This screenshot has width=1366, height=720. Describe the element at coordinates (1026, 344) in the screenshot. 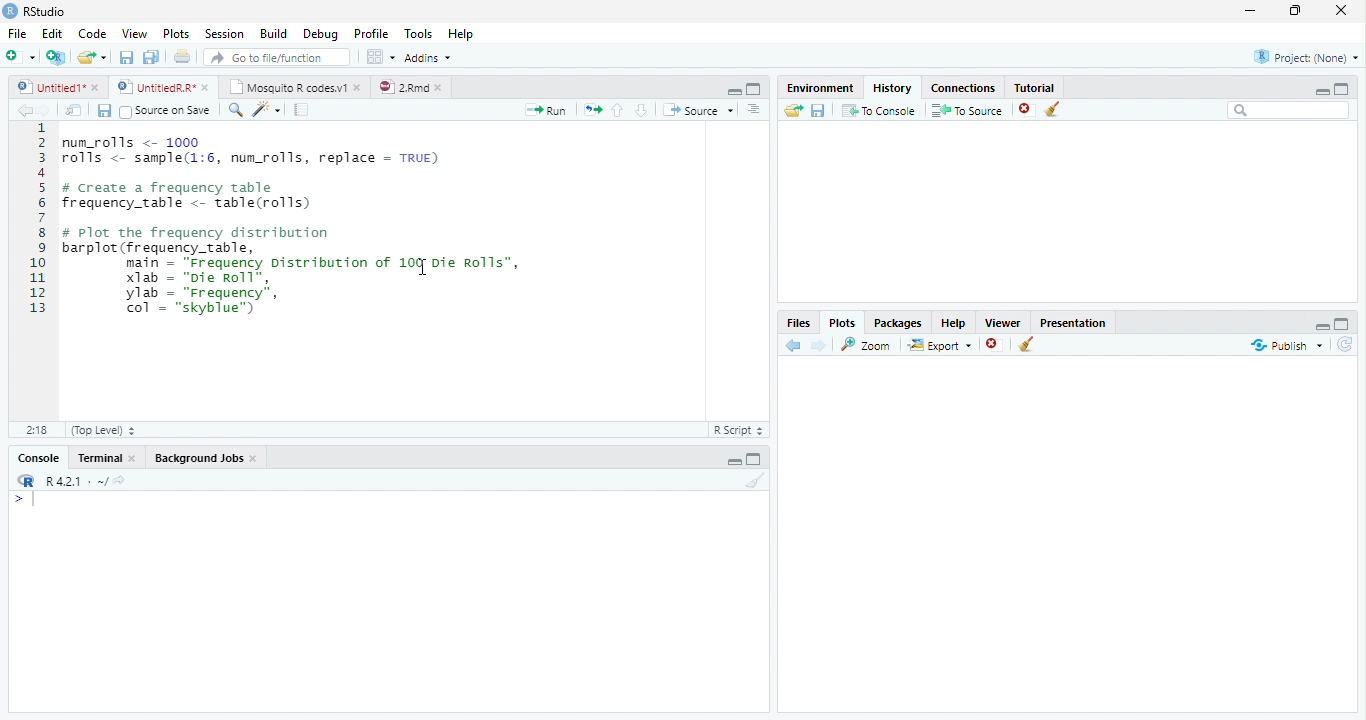

I see `Clear` at that location.